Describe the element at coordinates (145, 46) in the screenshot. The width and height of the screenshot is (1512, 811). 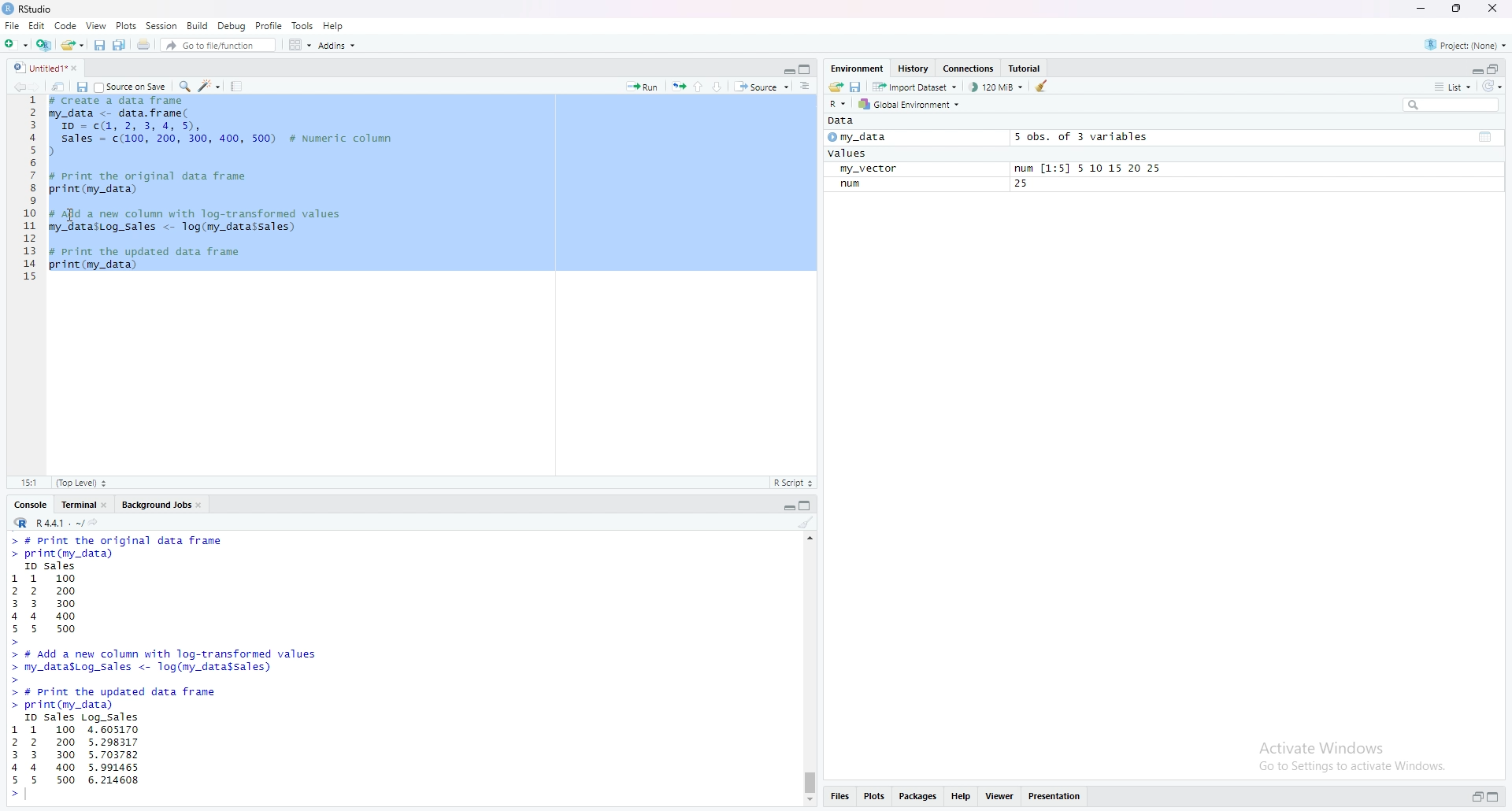
I see `print the current file` at that location.